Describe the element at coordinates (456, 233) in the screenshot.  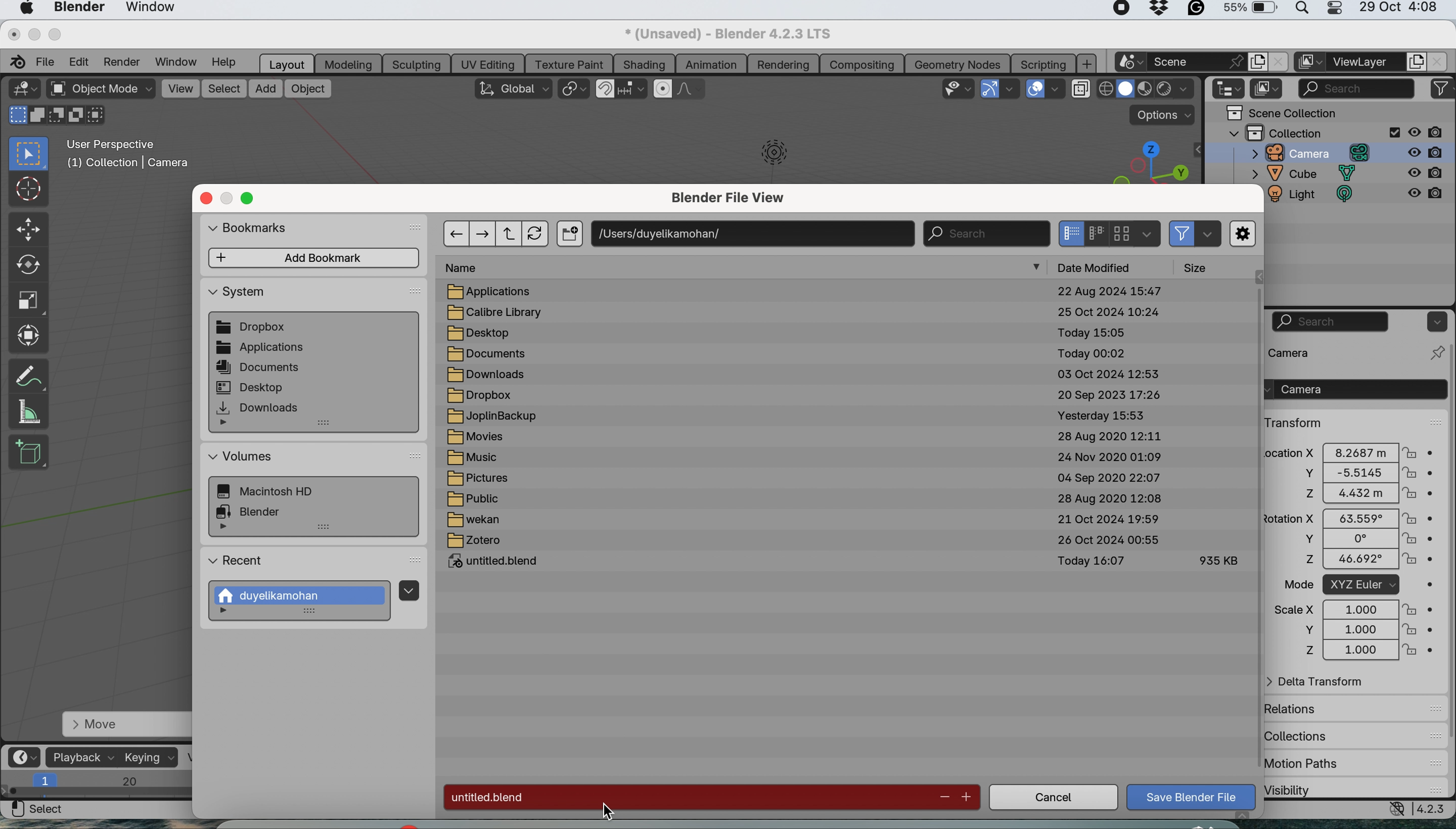
I see `previous folder` at that location.